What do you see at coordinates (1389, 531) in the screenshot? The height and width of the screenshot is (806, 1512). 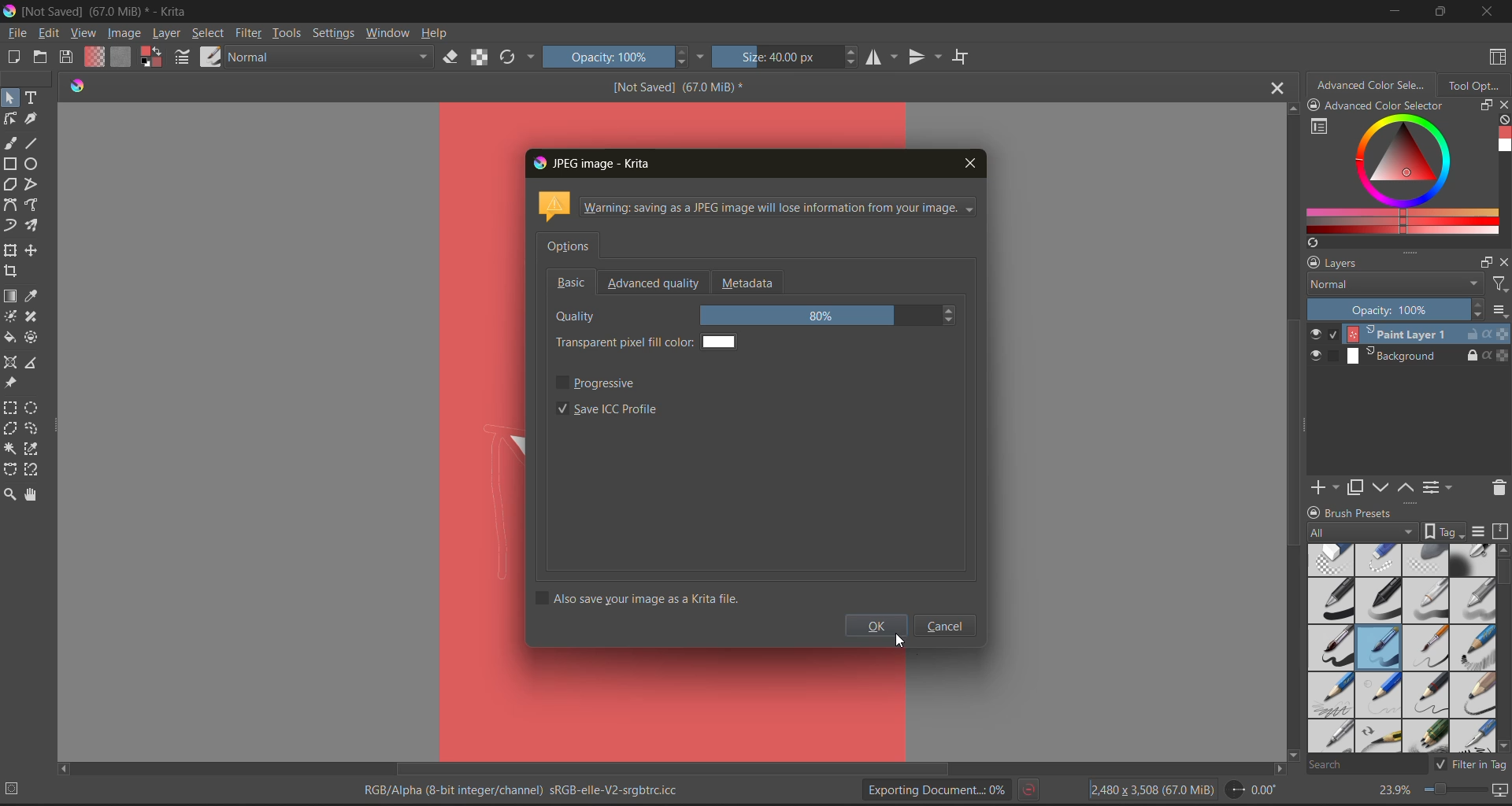 I see `tag` at bounding box center [1389, 531].